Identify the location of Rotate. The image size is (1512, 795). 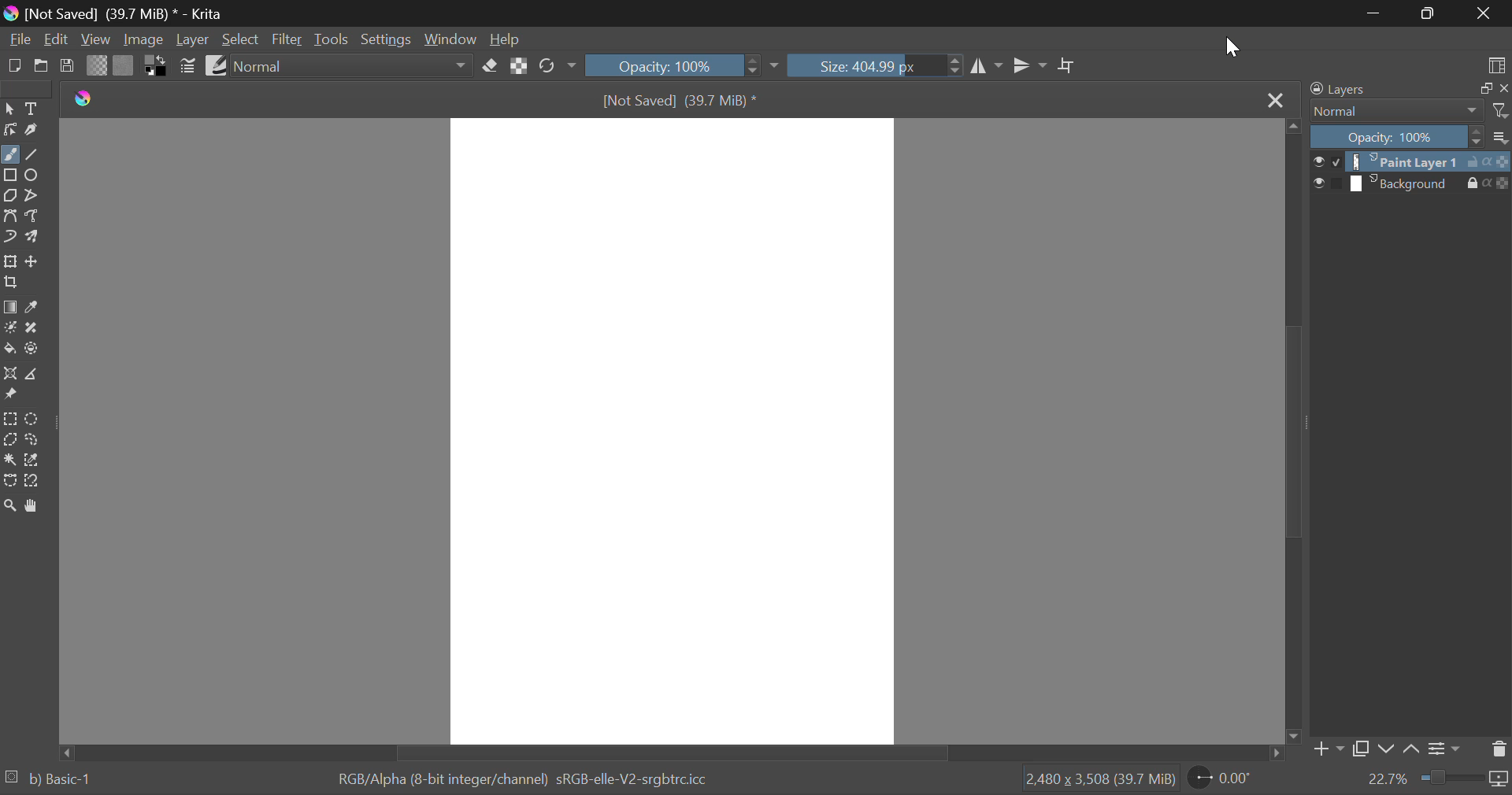
(554, 66).